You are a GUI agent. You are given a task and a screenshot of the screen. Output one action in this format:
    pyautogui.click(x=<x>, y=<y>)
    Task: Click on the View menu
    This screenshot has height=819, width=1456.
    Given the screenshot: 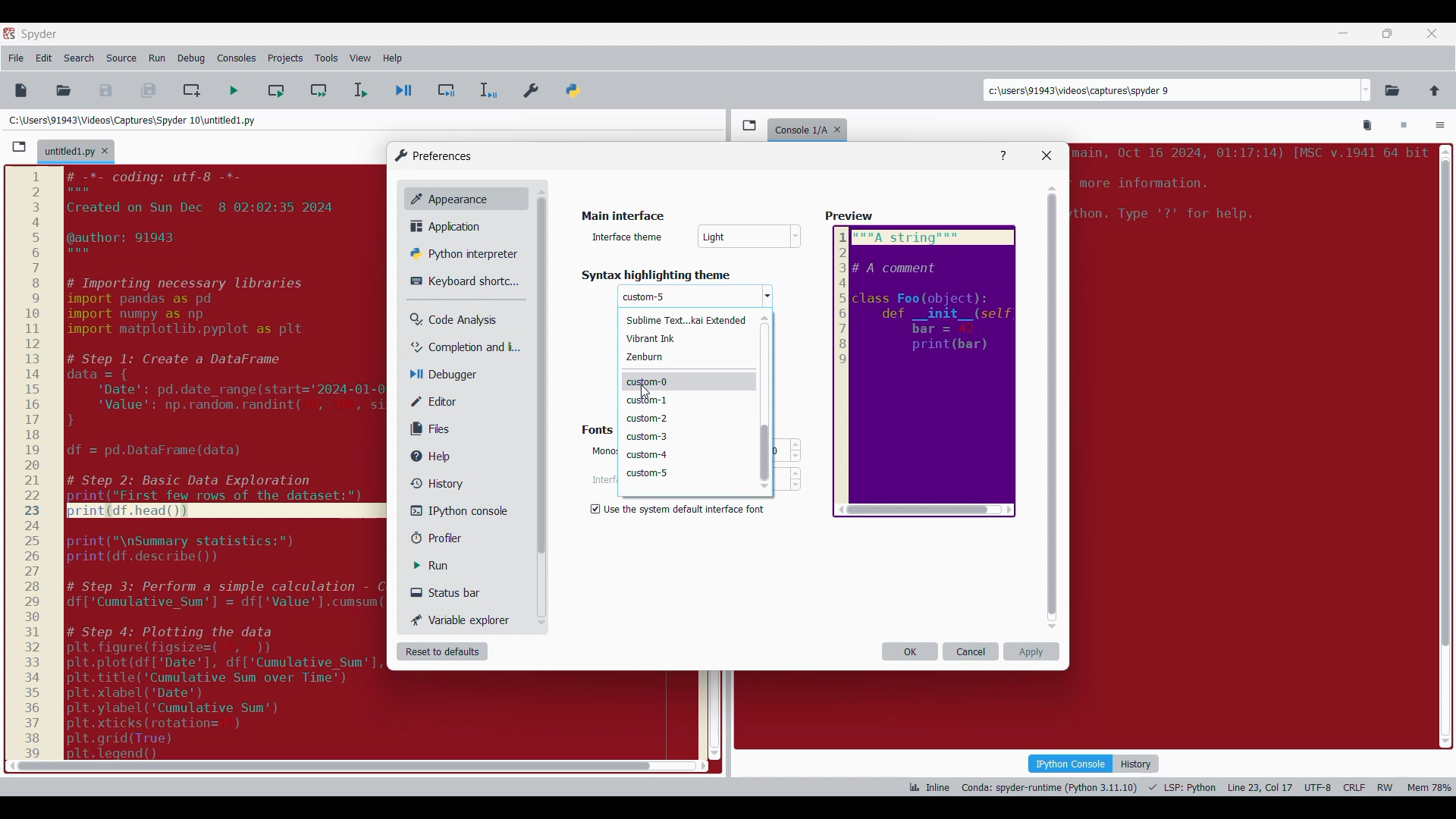 What is the action you would take?
    pyautogui.click(x=360, y=58)
    